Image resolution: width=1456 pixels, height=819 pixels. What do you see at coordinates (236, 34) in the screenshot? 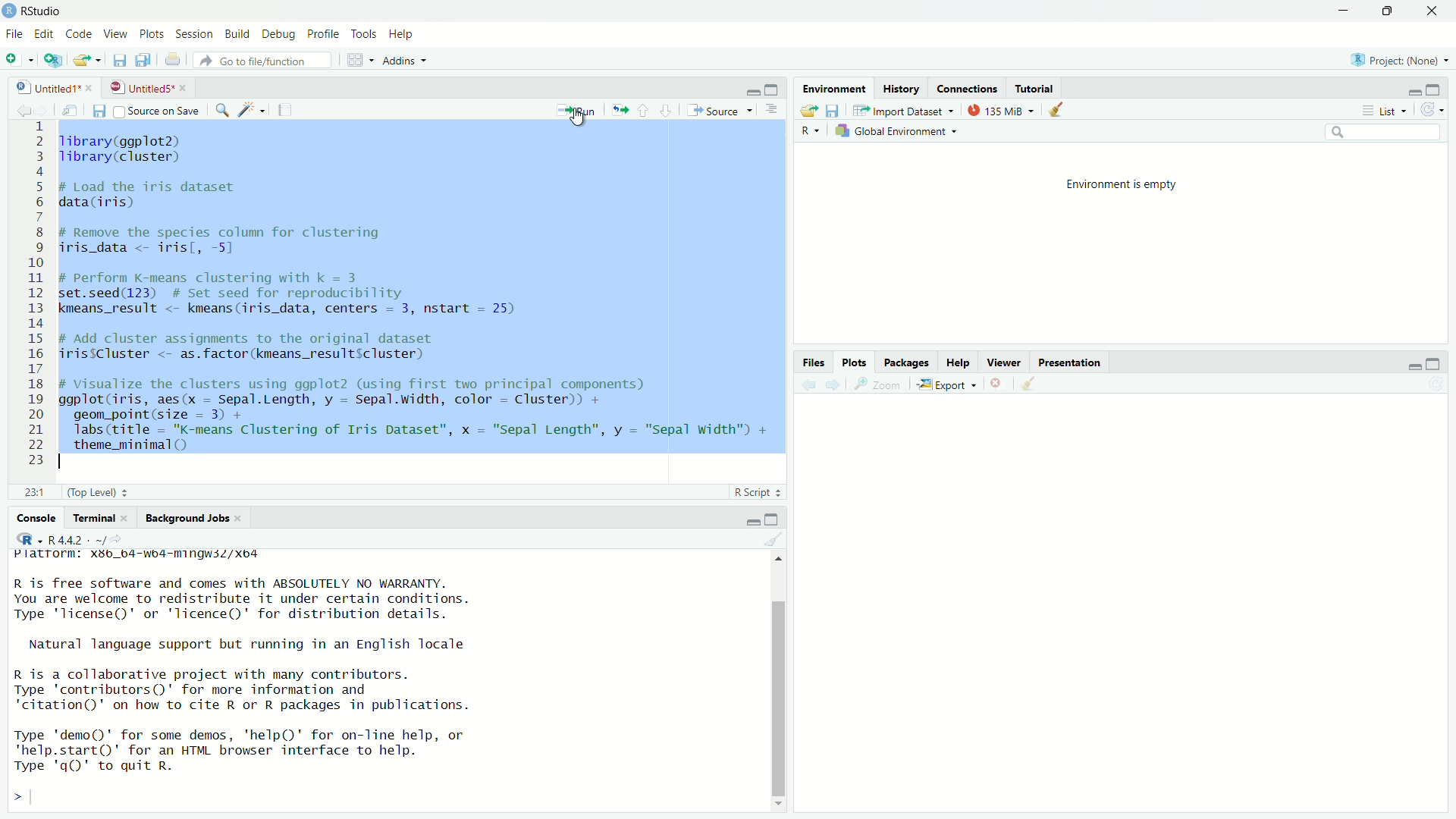
I see `build` at bounding box center [236, 34].